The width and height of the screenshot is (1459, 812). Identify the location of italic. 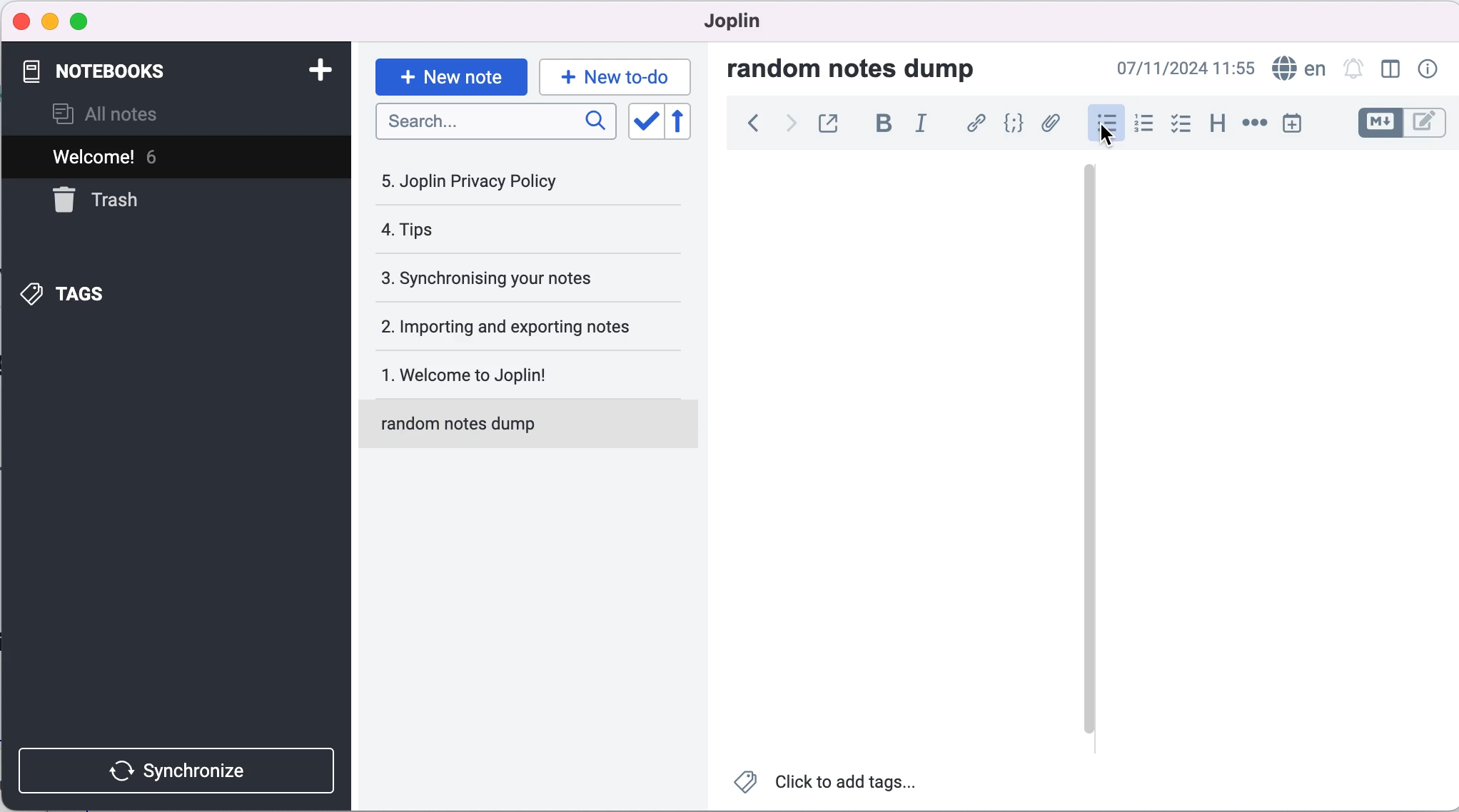
(923, 128).